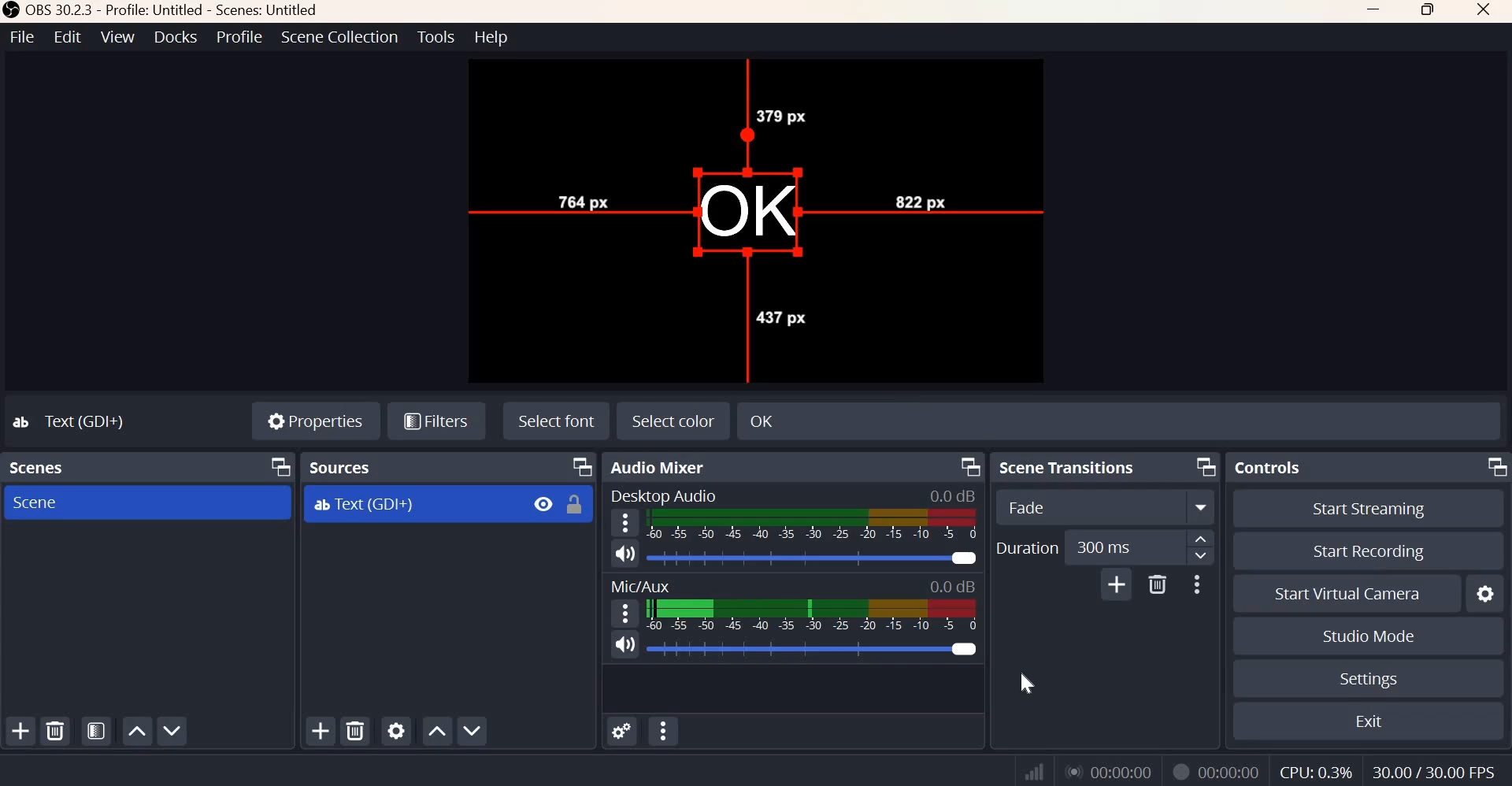  What do you see at coordinates (163, 10) in the screenshot?
I see `OBS 30.2.3 - Profile: Untitled - Scenes: Untitled` at bounding box center [163, 10].